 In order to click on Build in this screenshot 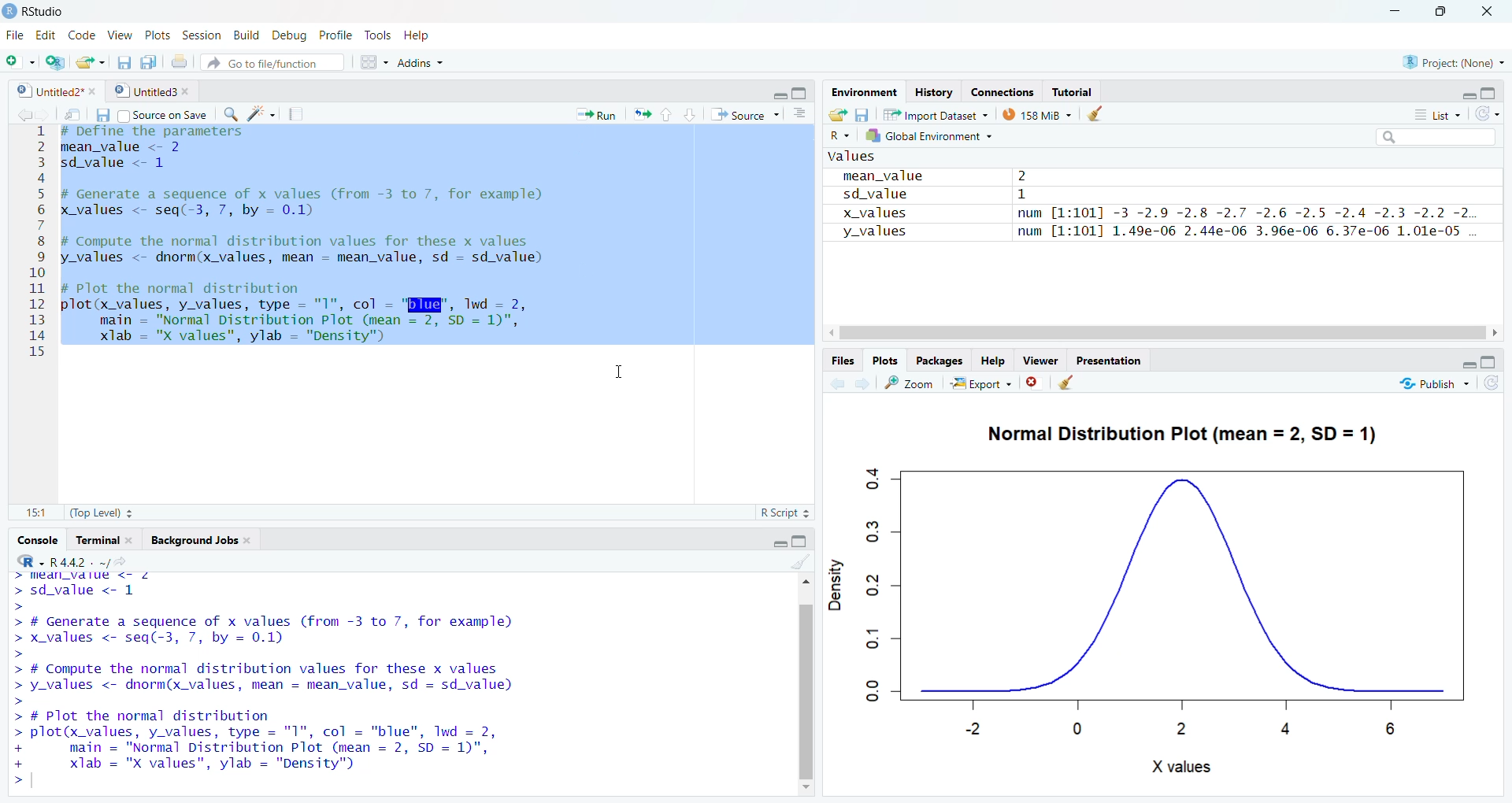, I will do `click(244, 35)`.